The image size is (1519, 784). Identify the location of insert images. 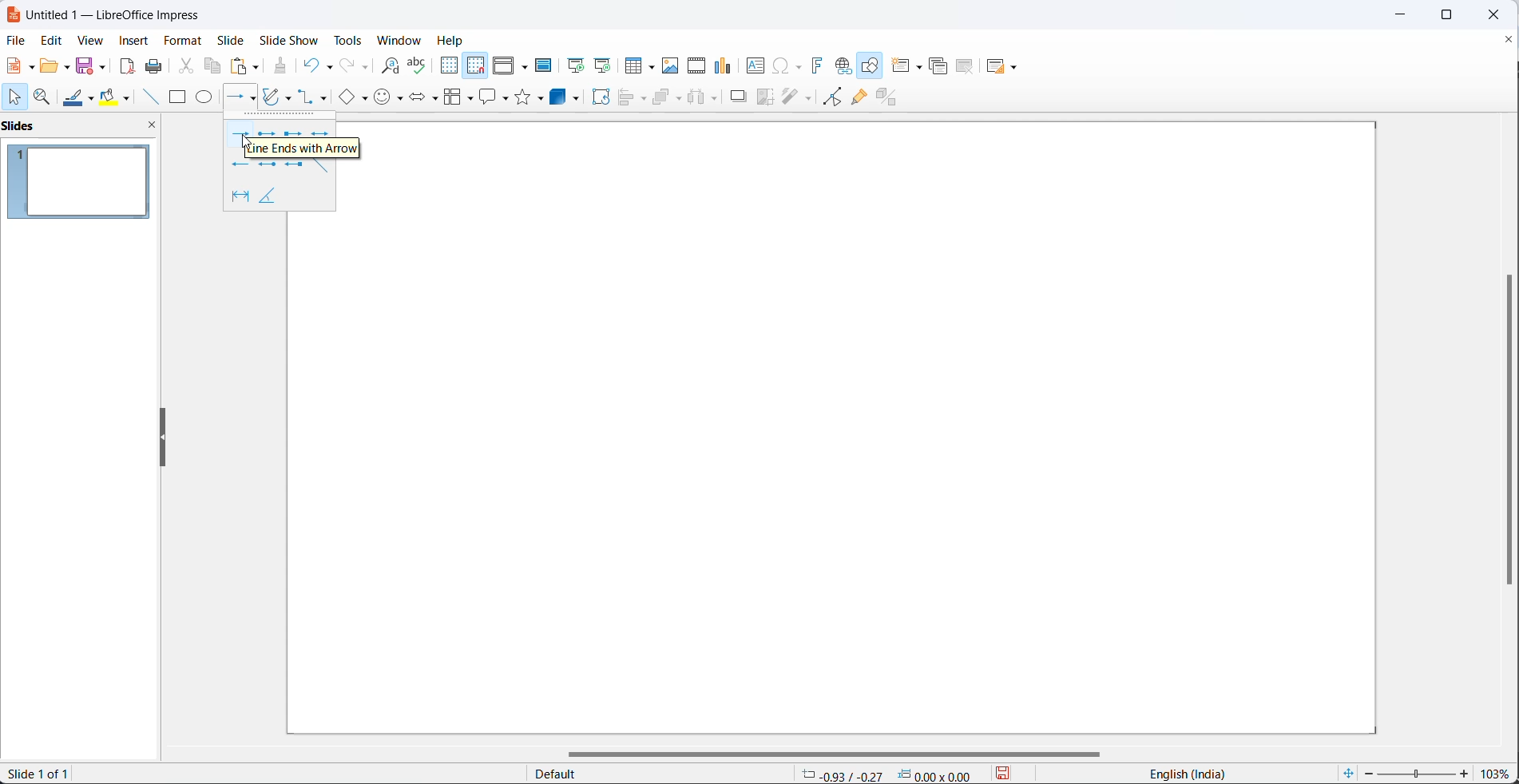
(672, 66).